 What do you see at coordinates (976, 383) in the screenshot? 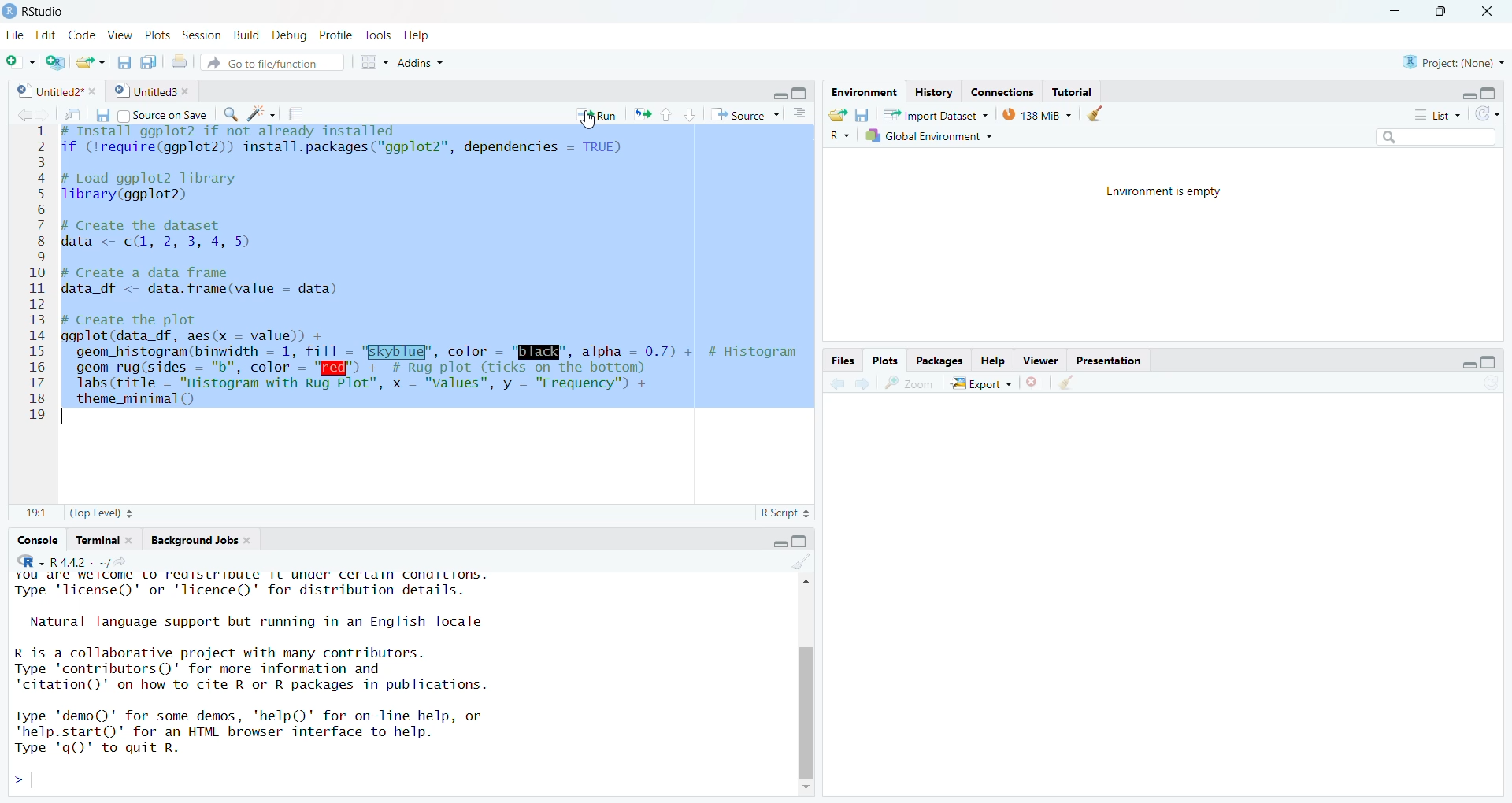
I see `Export ` at bounding box center [976, 383].